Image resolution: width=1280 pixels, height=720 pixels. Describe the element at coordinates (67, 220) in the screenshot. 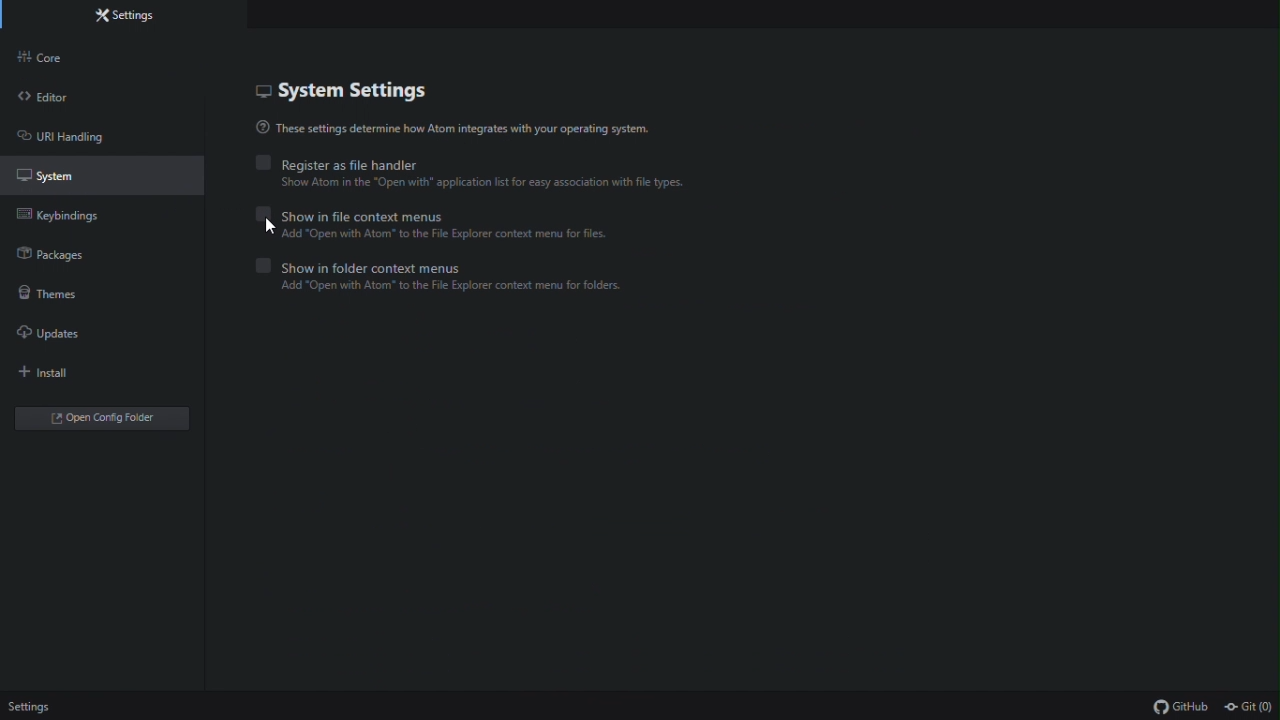

I see `Key binding` at that location.